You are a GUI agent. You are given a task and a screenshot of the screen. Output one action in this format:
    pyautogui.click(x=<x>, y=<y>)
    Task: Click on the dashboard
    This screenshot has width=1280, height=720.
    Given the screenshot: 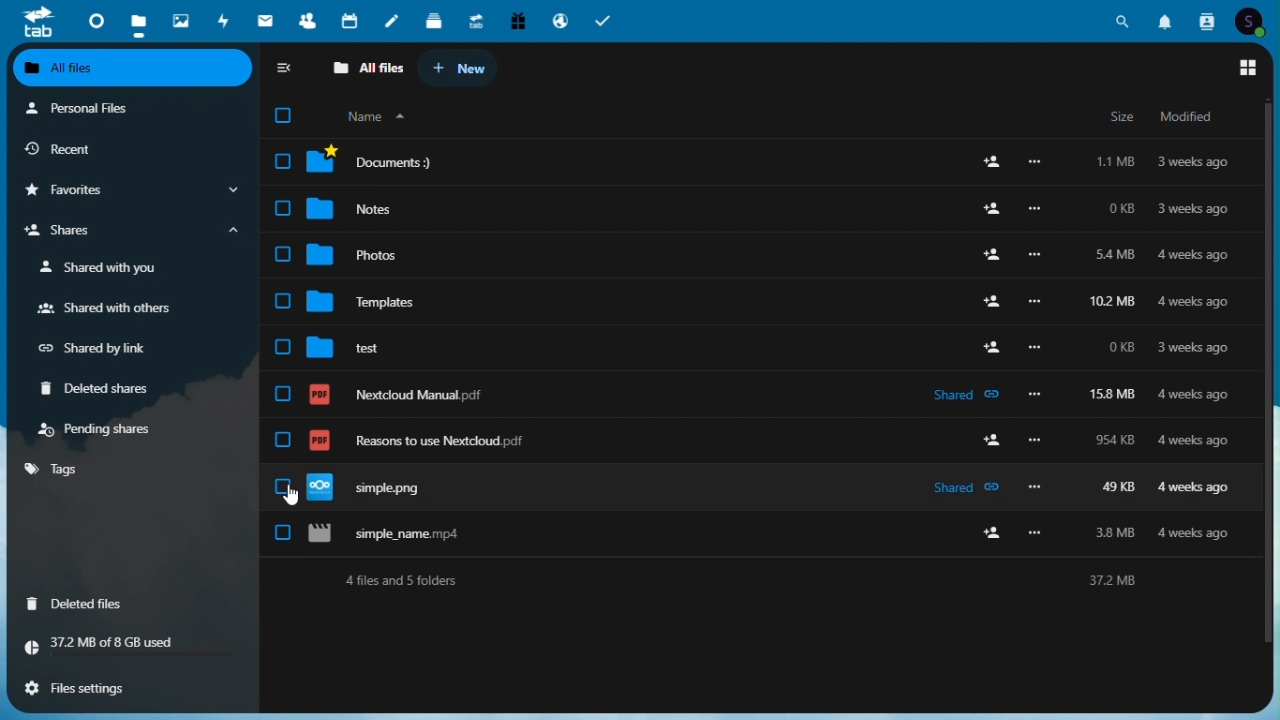 What is the action you would take?
    pyautogui.click(x=89, y=17)
    